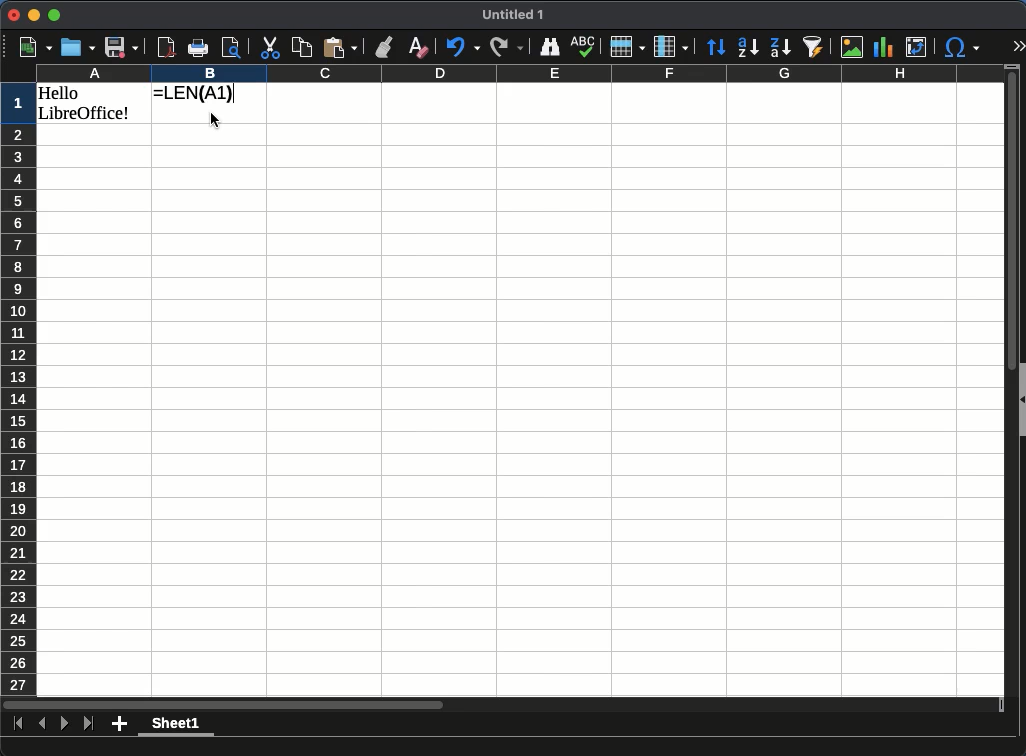 This screenshot has height=756, width=1026. Describe the element at coordinates (883, 47) in the screenshot. I see `chart` at that location.